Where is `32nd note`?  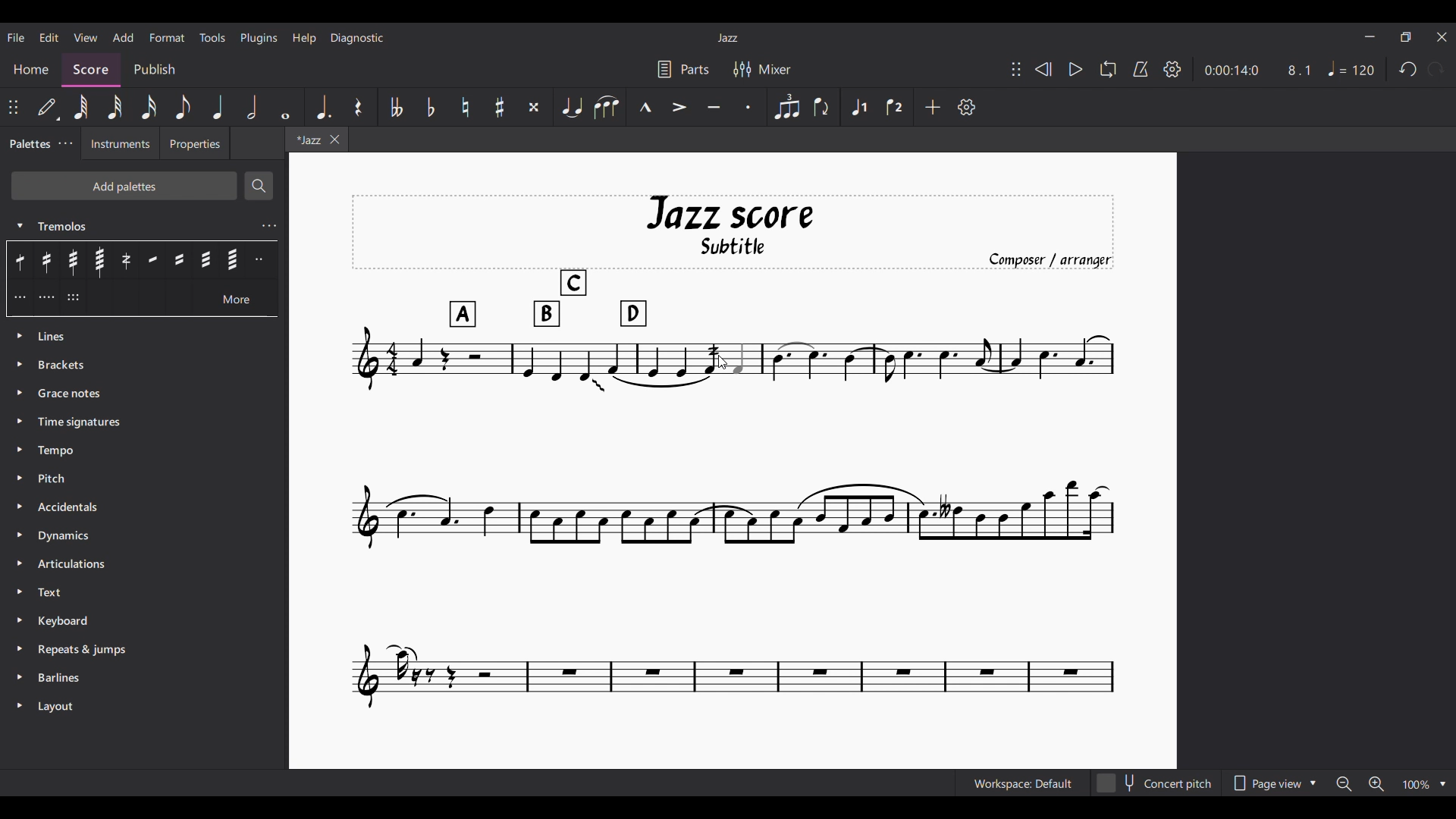
32nd note is located at coordinates (115, 108).